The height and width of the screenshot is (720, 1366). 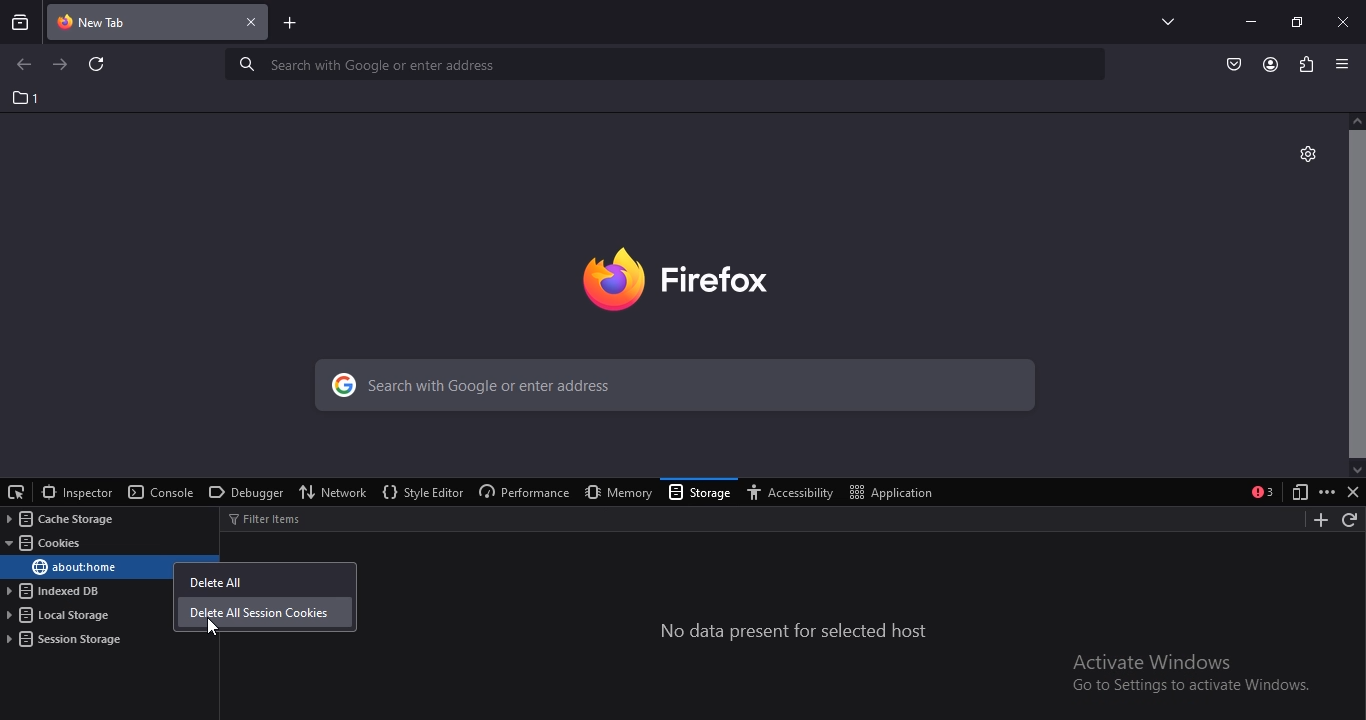 What do you see at coordinates (276, 518) in the screenshot?
I see `filter items` at bounding box center [276, 518].